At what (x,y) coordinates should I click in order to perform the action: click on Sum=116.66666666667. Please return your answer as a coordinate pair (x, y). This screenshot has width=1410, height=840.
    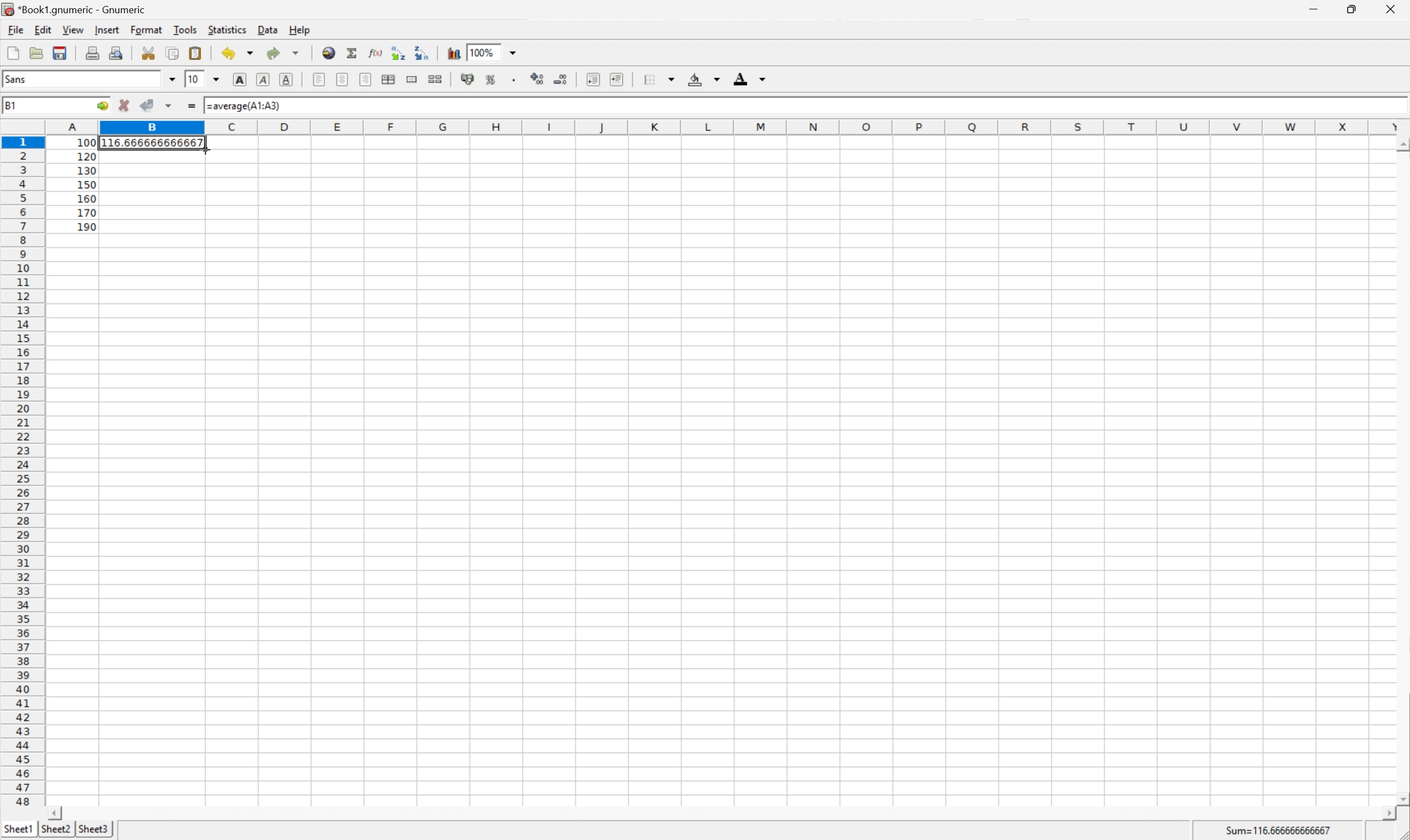
    Looking at the image, I should click on (1275, 828).